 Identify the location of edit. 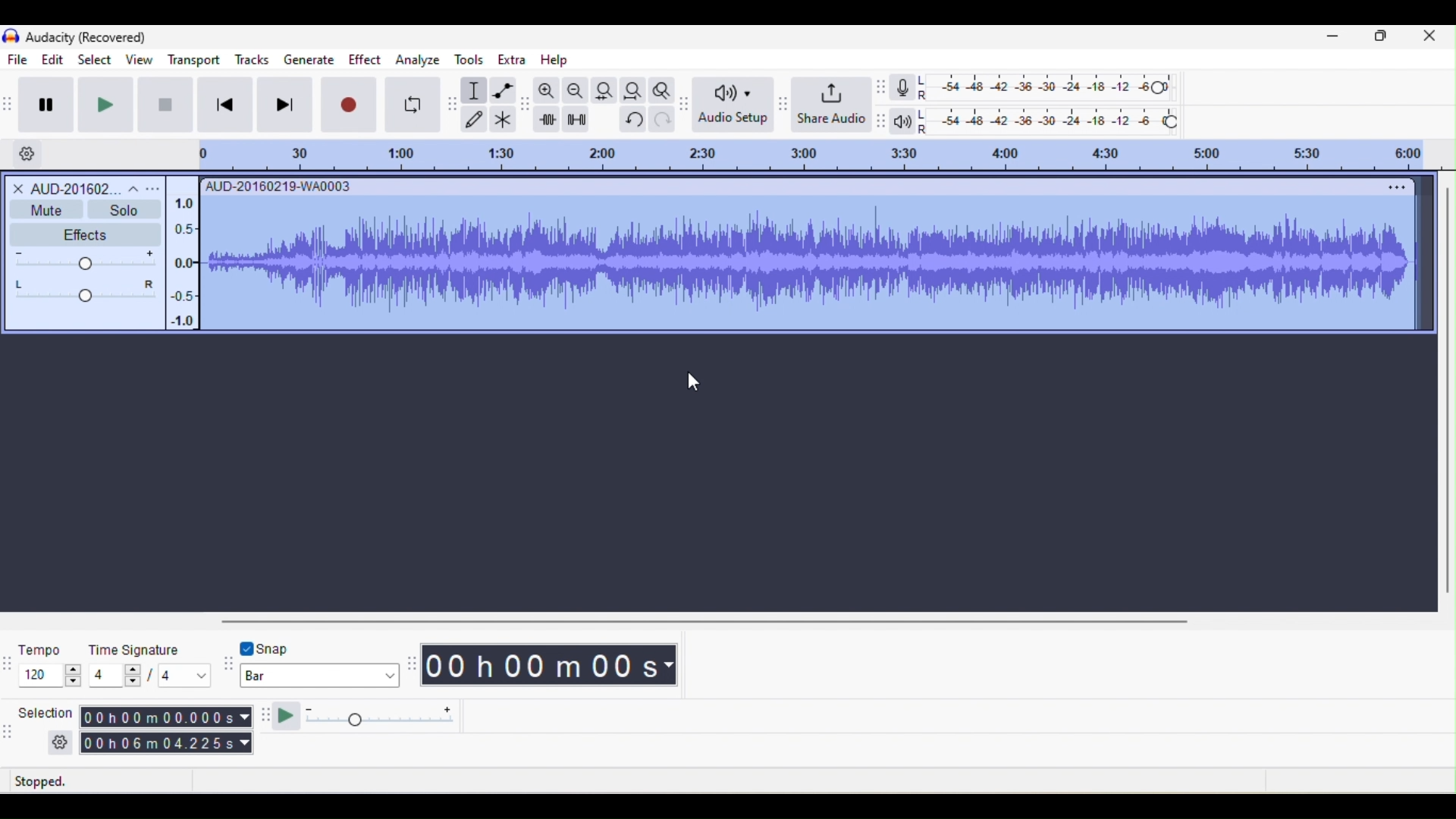
(49, 60).